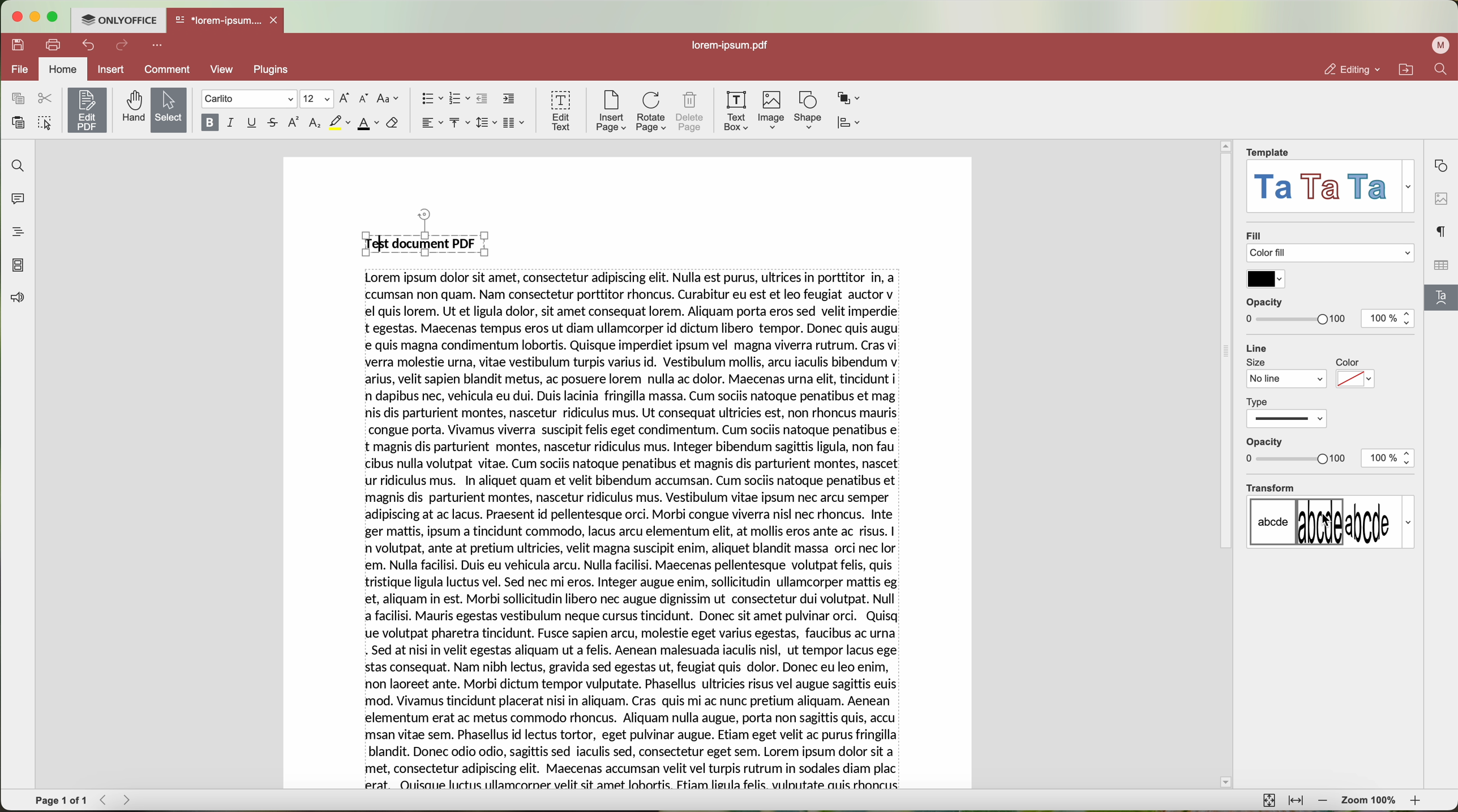 Image resolution: width=1458 pixels, height=812 pixels. What do you see at coordinates (636, 531) in the screenshot?
I see `Lorem ipsum dolor sit amet, consectetur adipiscing elit. Nulla est purus, ultrices in porttitor in, a
ccumsan non quam. Nam consectetur porttitor rhoncus. Curabitur eu est et leo feugiat auctor v
el quis lorem. Ut et ligula dolor, sit amet consequat lorem. Aliquam porta eros sed velit imperdie
t egestas. Maecenas tempus eros ut diam ullamcorper id dictum libero tempor. Donec quis augu
e quis magna condimentum lobortis. Quisque imperdiet ipsum vel magna viverra rutrum. Cras vi
verra molestie urna, vitae vestibulum turpis varius id. Vestibulum mollis, arcu iaculis bibendum v
arius, velit sapien blandit metus, ac posuere lorem nulla ac dolor. Maecenas urna elit, tincidunt i
n dapibus nec, vehicula eu dui. Duis lacinia fringilla massa. Cum sociis natoque penatibus et mag
nis dis parturient montes, nascetur ridiculus mus. Ut consequat ultricies est, non rhoncus mauris
congue porta. Vivamus viverra suscipit felis eget condimentum. Cum sociis natoque penatibus e
t magnis dis parturient montes, nascetur ridiculus mus. Integer bibendum sagittis ligula, non fau
cibus nulla volutpat vitae. Cum sociis natoque penatibus et magnis dis parturient montes, nascet
ur ridiculus mus. In aliquet quam et velit bibendum accumsan. Cum sociis natoque penatibus et
magnis dis parturient montes, nascetur ridiculus mus. Vestibulum vitae ipsum nec arcu semper
adipiscing at ac lacus. Praesent id pellentesque orci. Morbi congue viverra nisl nec rhoncus. Inte
ger mattis, ipsum a tincidunt commodo, lacus arcu elementum elit, at mollis eros ante ac risus. |
n volutpat, ante at pretium ultricies, velit magna suscipit enim, aliquet blandit massa orci nec lor
em. Nulla facilisi. Duis eu vehicula arcu. Nulla facilisi. Maecenas pellentesque volutpat felis, quis
tristique ligula luctus vel. Sed nec mi eros. Integer augue enim, sollicitudin ullamcorper mattis eg
et, aliquam in est. Morbi sollicitudin libero nec augue dignissim ut consectetur dui volutpat. Null
a facilisi. Mauris egestas vestibulum neque cursus tincidunt. Donec sit amet pulvinar orci. Quisq
ue volutpat pharetra tincidunt. Fusce sapien arcu, molestie eget varius egestas, faucibus ac urna
. Sed at nisi in velit egestas aliquam ut a felis. Aenean malesuada iaculis nisl, ut tempor lacus ege
stas consequat. Nam nibh lectus, gravida sed egestas ut, feugiat quis dolor. Donec eu leo enim,
non laoreet ante. Morbi dictum tempor vulputate. Phasellus ultricies risus vel augue sagittis euis
mod. Vivamus tincidunt placerat nisi in aliquam. Cras quis mi ac nunc pretium aliquam. Aenean
elementum erat ac metus commodo rhoncus. Aliquam nulla augue, porta non sagittis quis, accu
msan vitae sem. Phasellus id lectus tortor, eget pulvinar augue. Etiam eget velit ac purus fringilla
blandit. Donec odio odio, sagittis sed iaculis sed, consectetur eget sem. Lorem ipsum dolor sit a
met, consectetur adipiscing elit. Maecenas accumsan velit vel turpis rutrum in sodales diam plac
erat. Ouisaue luctus ullamcarner velit sit amet lobortis. Friam lieula felis. viilnutate ais rhonciis` at bounding box center [636, 531].